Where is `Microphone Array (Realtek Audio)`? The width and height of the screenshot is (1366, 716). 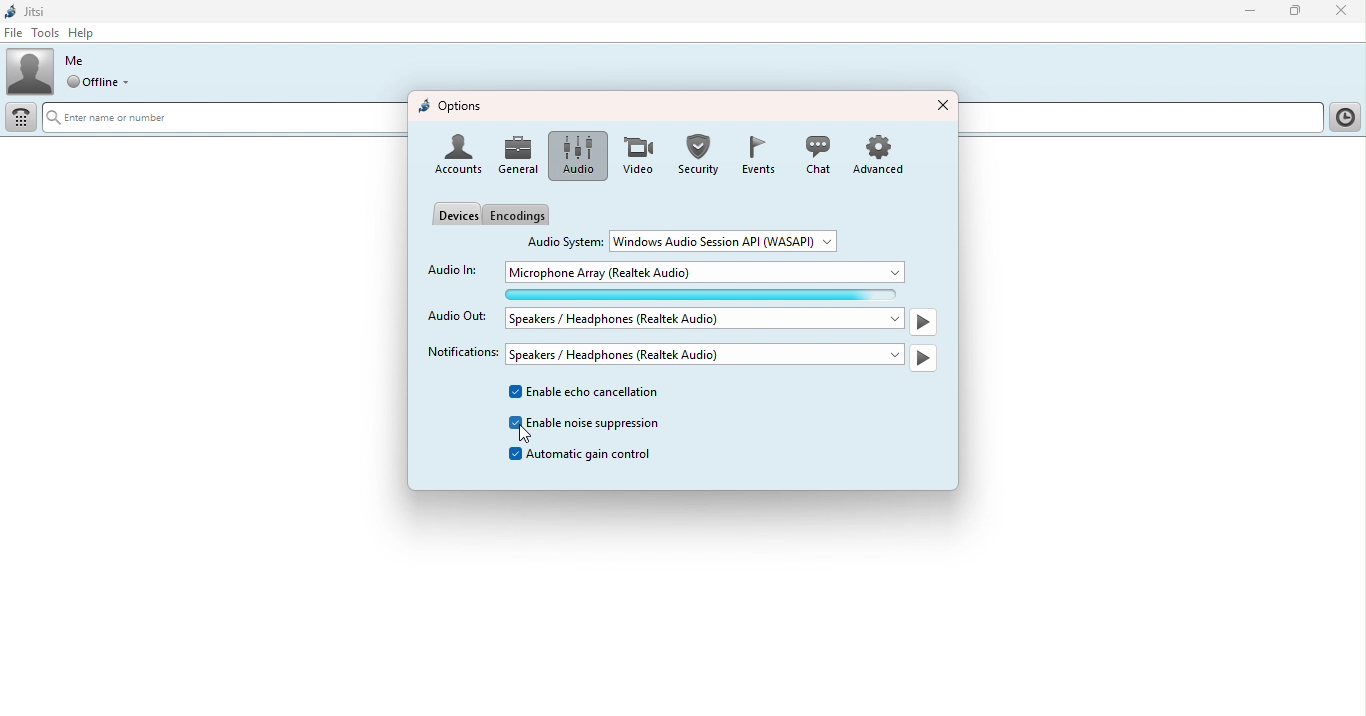
Microphone Array (Realtek Audio) is located at coordinates (709, 272).